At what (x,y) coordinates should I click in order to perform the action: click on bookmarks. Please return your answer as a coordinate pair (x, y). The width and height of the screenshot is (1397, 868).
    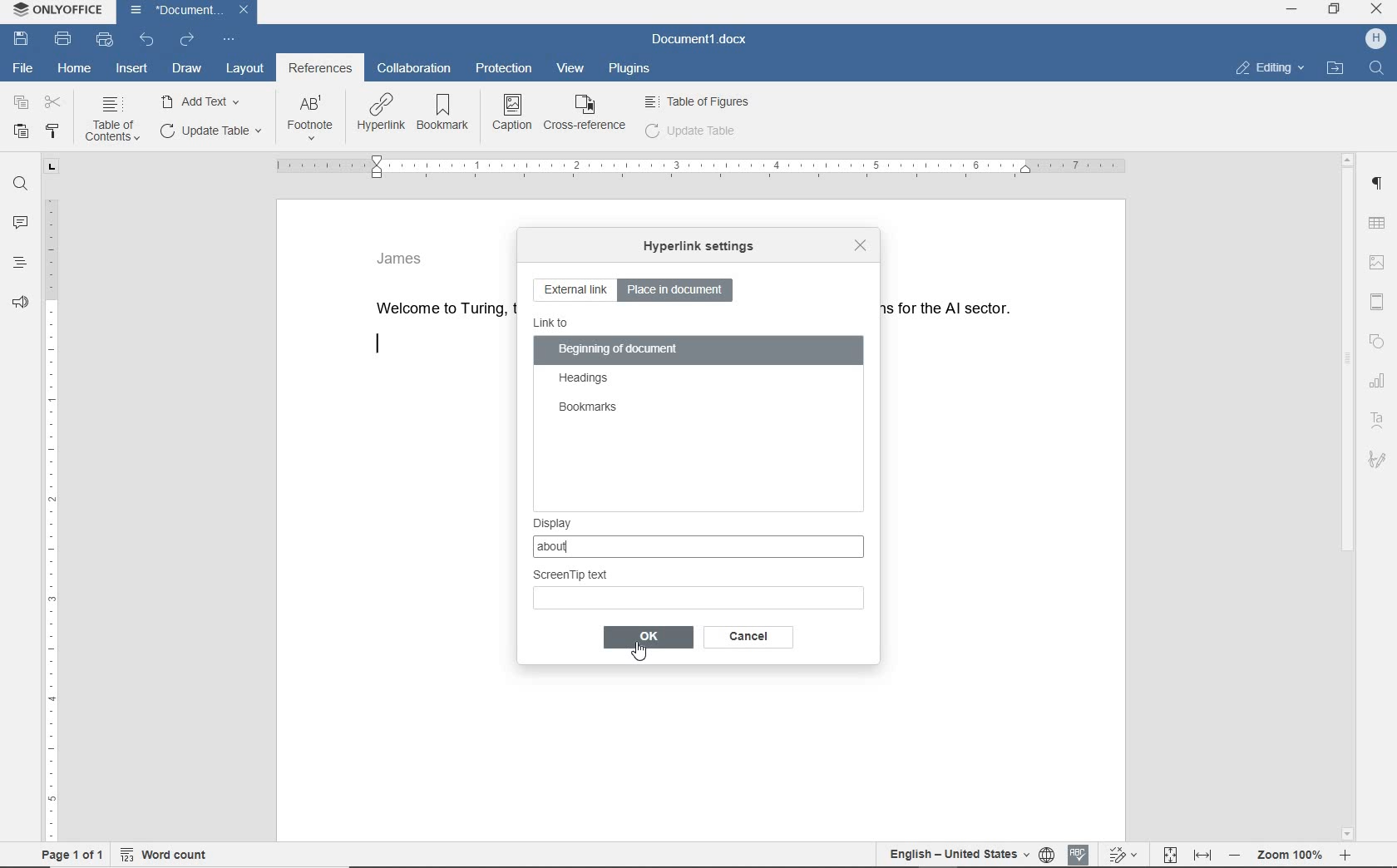
    Looking at the image, I should click on (587, 408).